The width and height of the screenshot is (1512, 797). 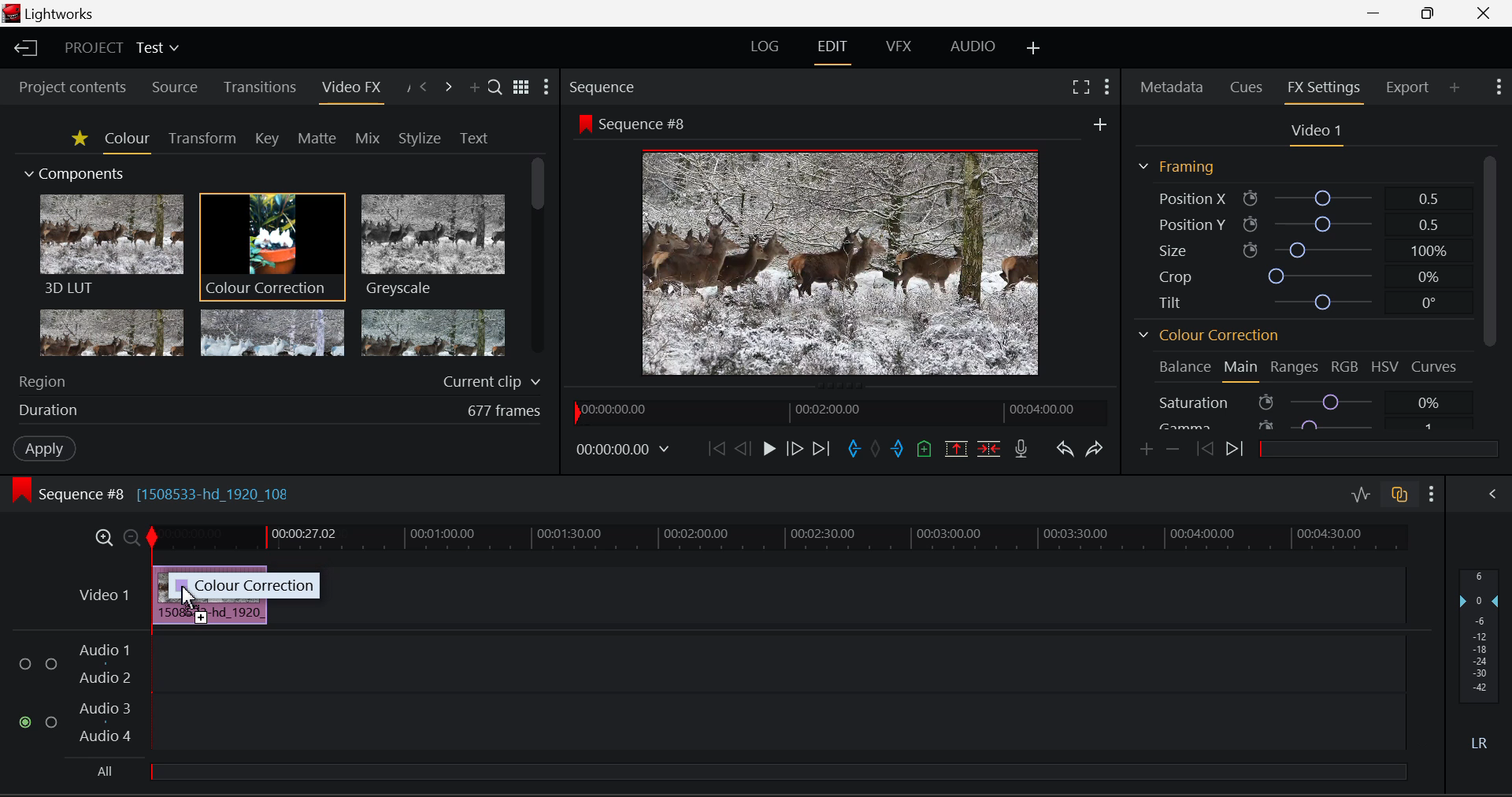 What do you see at coordinates (1399, 496) in the screenshot?
I see `Toggle Auto Track Sync` at bounding box center [1399, 496].